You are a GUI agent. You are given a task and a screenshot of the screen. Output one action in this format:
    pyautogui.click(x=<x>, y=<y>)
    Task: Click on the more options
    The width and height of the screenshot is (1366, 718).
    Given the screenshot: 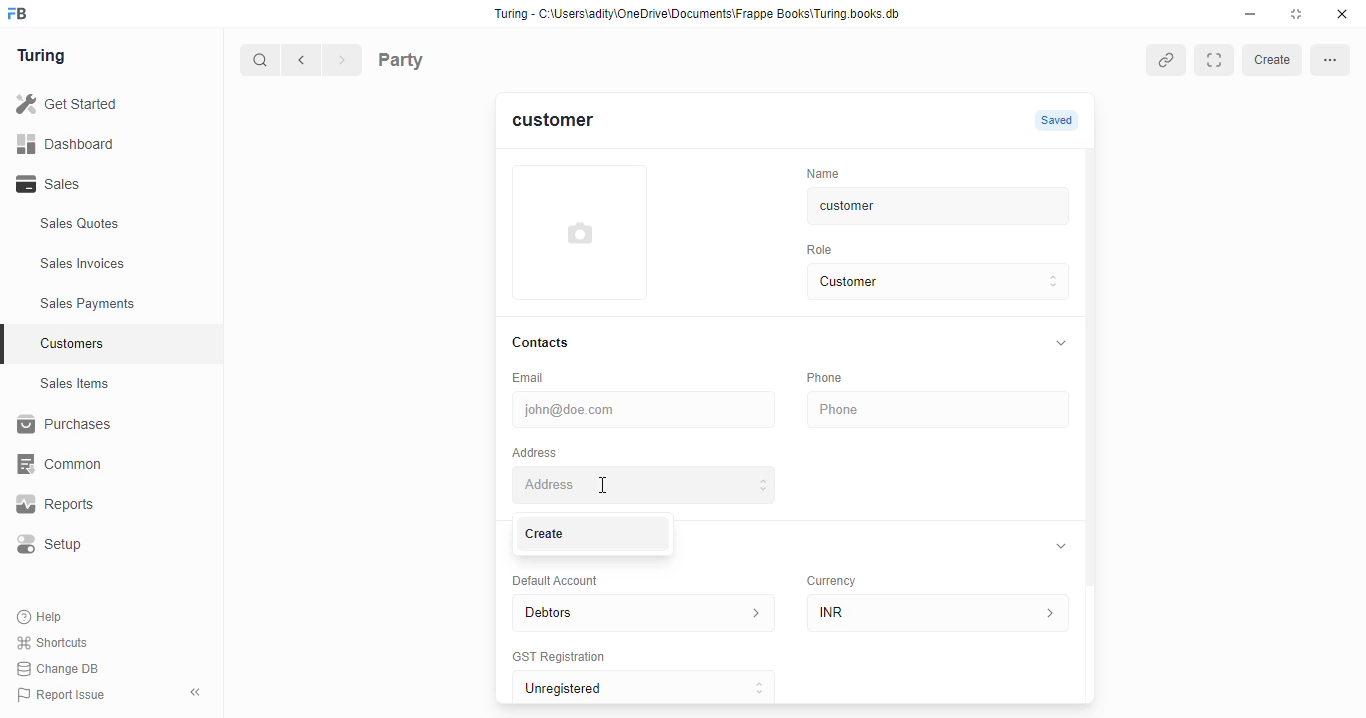 What is the action you would take?
    pyautogui.click(x=1332, y=61)
    